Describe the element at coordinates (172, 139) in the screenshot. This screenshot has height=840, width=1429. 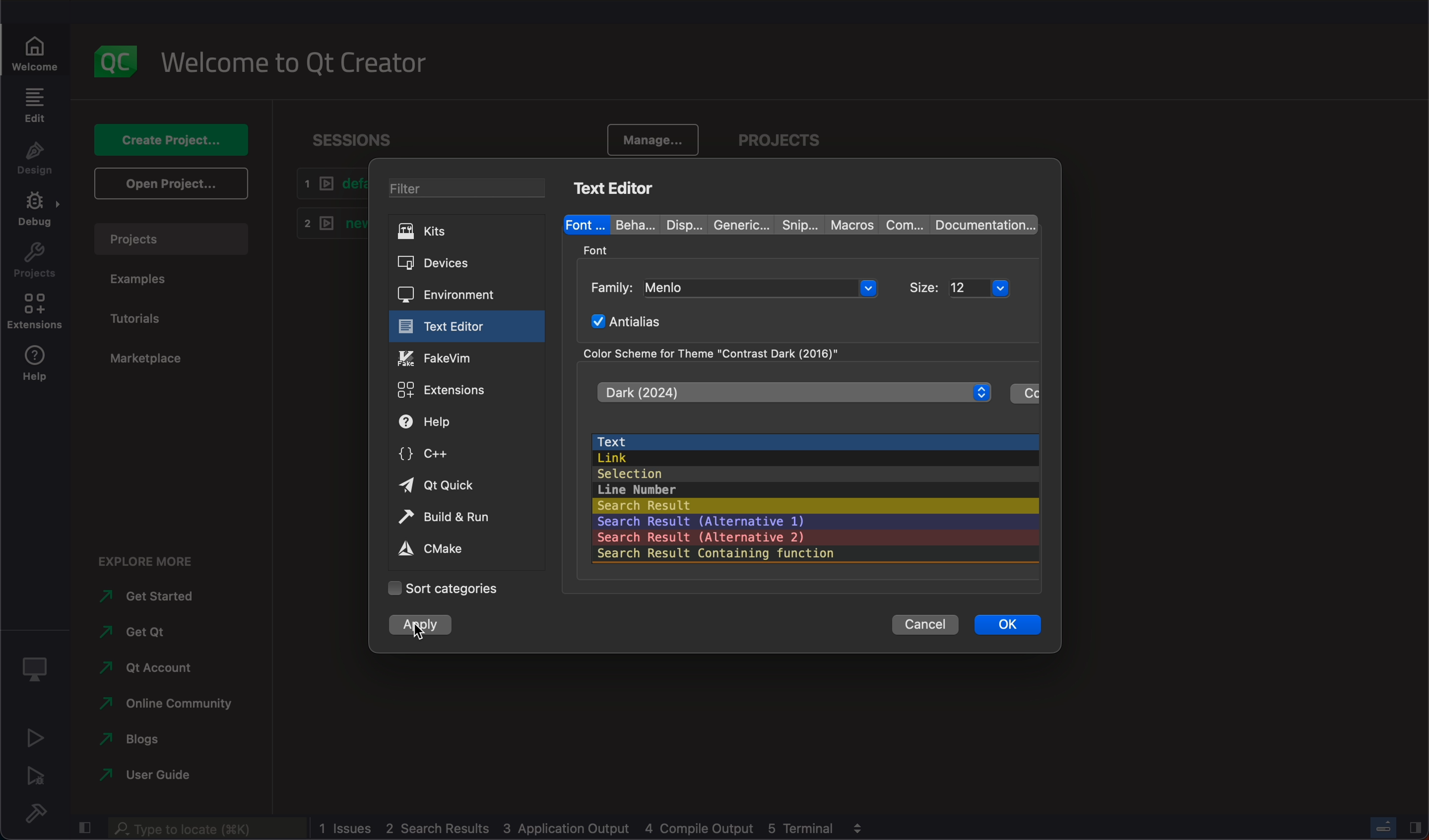
I see `create project` at that location.